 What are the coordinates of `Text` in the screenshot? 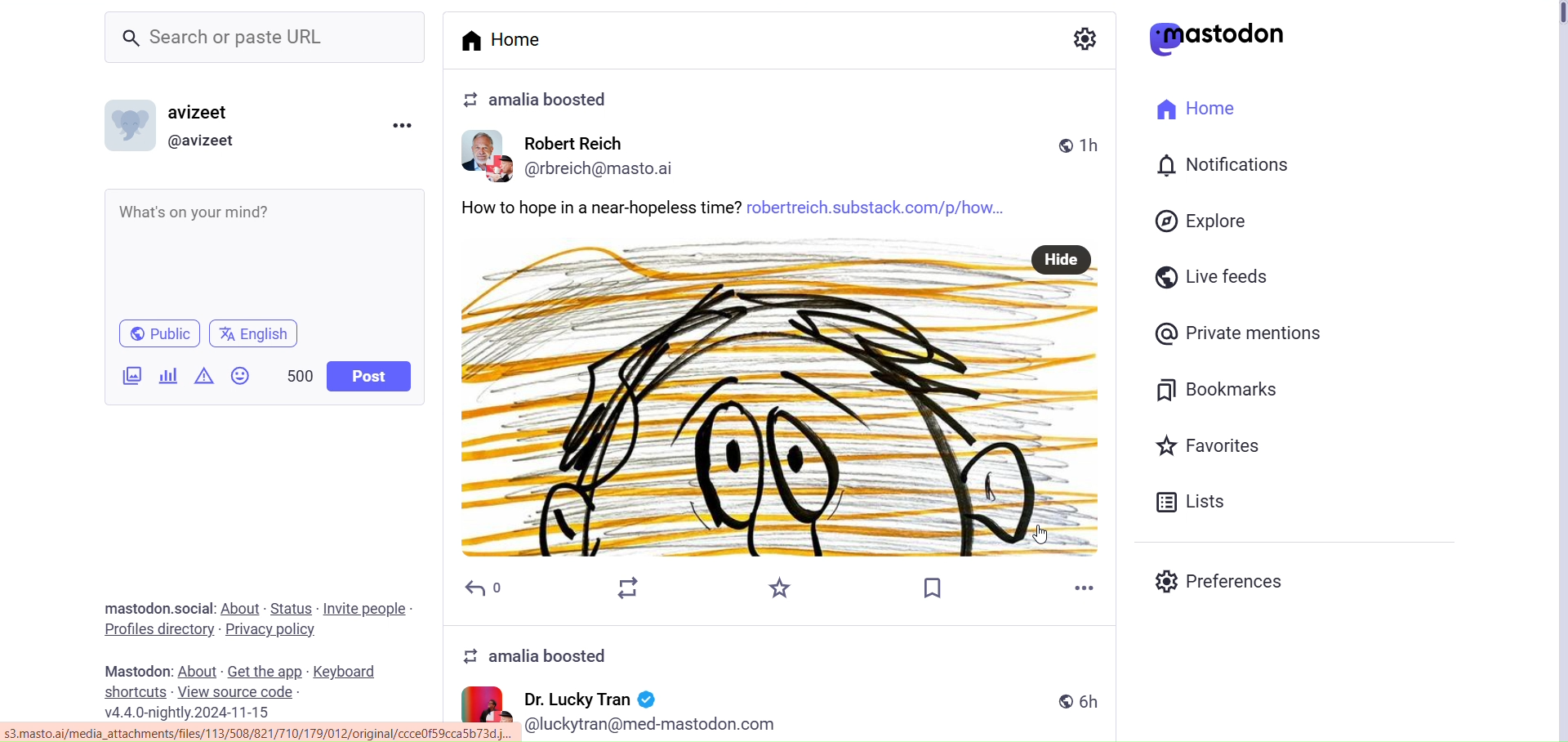 It's located at (148, 607).